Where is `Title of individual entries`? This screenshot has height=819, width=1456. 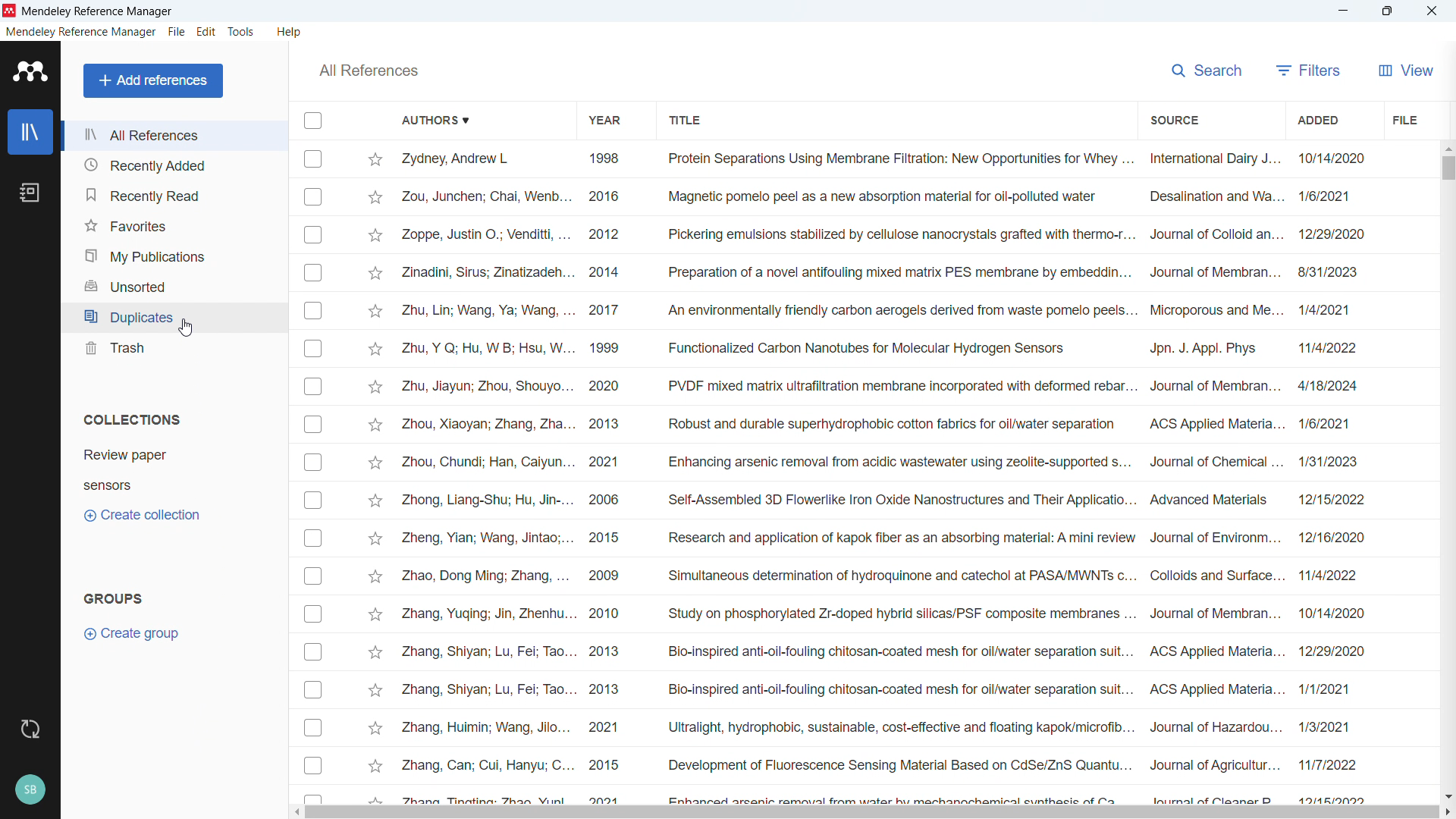
Title of individual entries is located at coordinates (899, 476).